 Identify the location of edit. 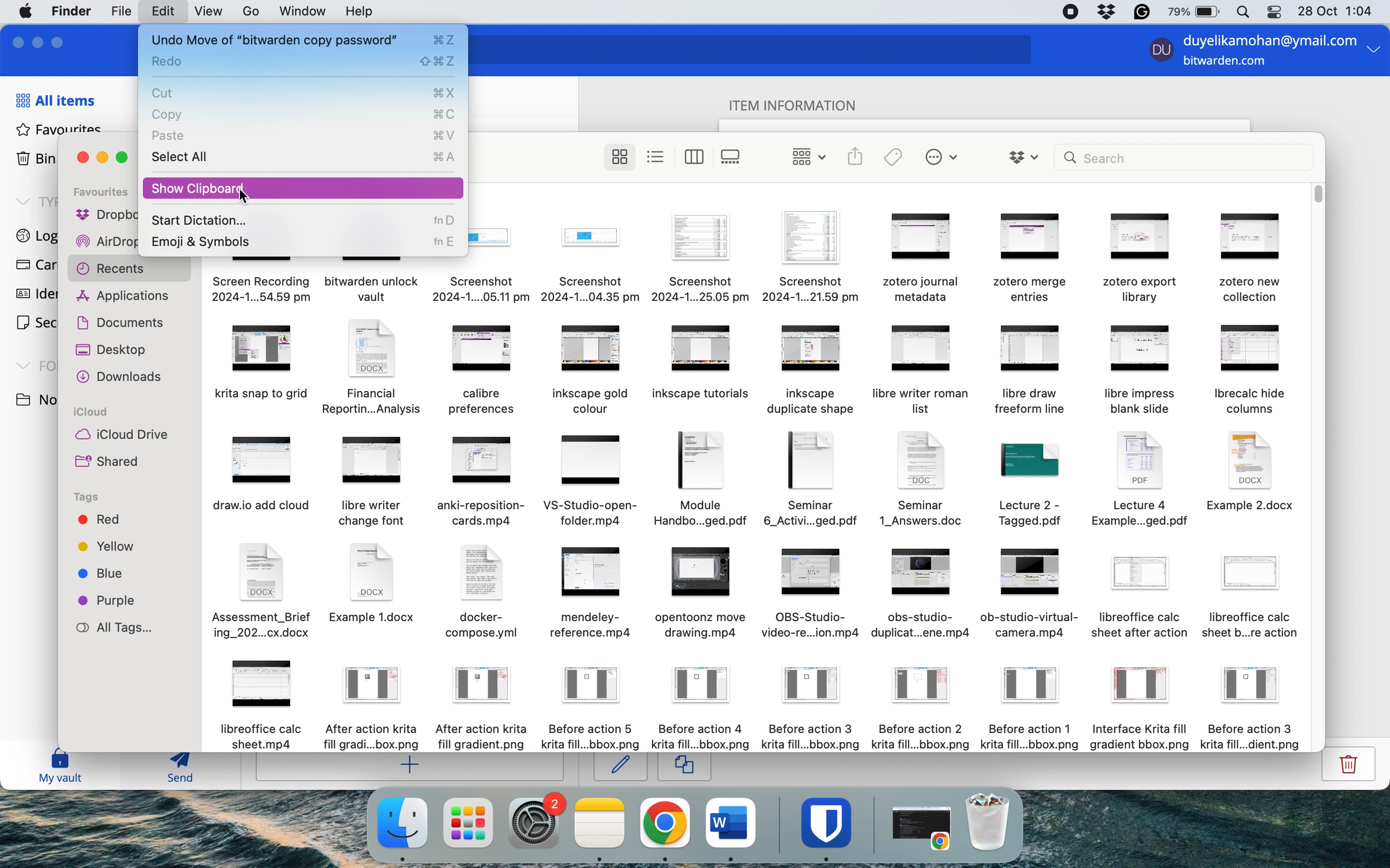
(159, 13).